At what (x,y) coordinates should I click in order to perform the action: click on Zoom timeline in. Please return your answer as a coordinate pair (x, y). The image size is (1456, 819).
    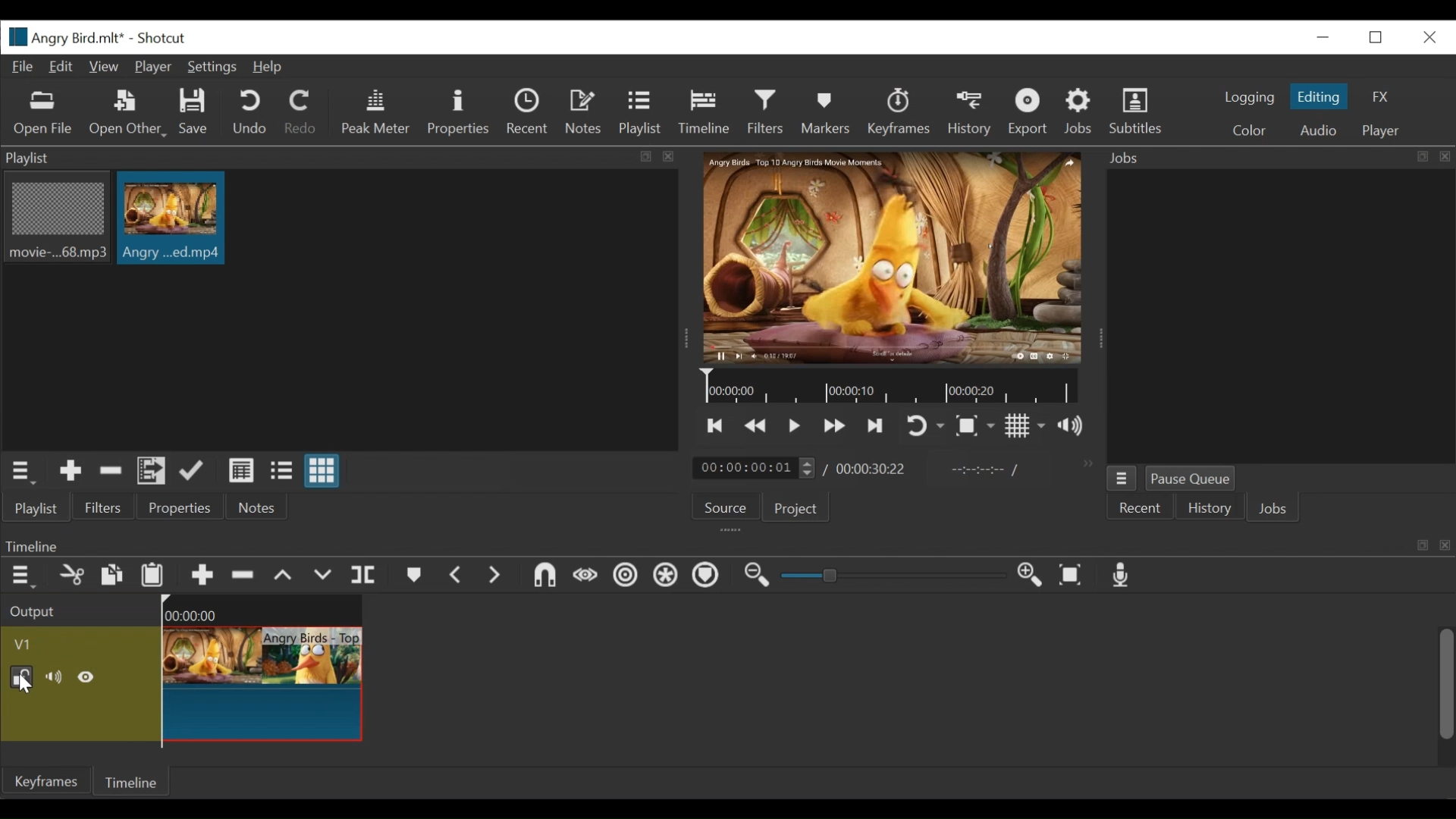
    Looking at the image, I should click on (1032, 576).